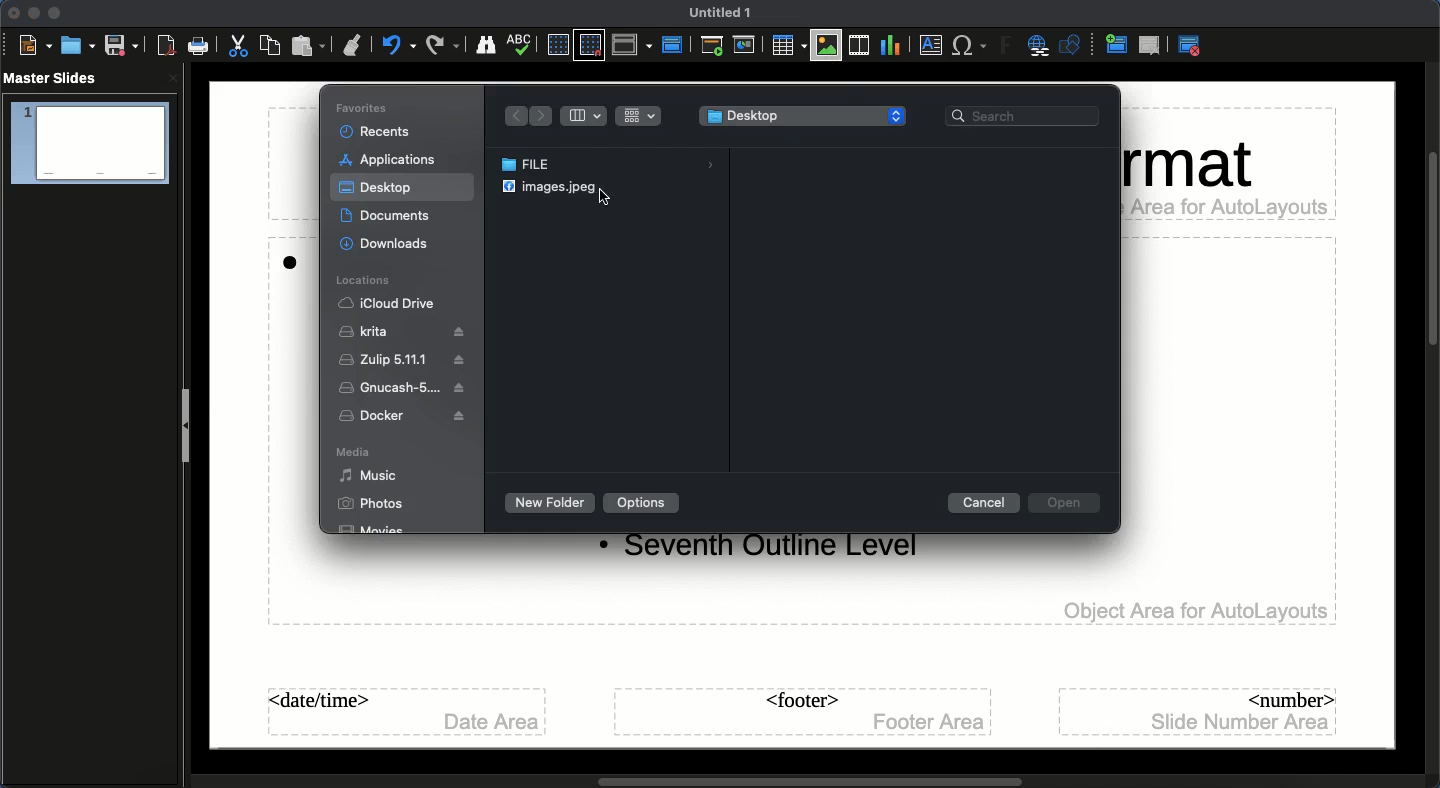 This screenshot has height=788, width=1440. Describe the element at coordinates (408, 710) in the screenshot. I see `Master slide date` at that location.